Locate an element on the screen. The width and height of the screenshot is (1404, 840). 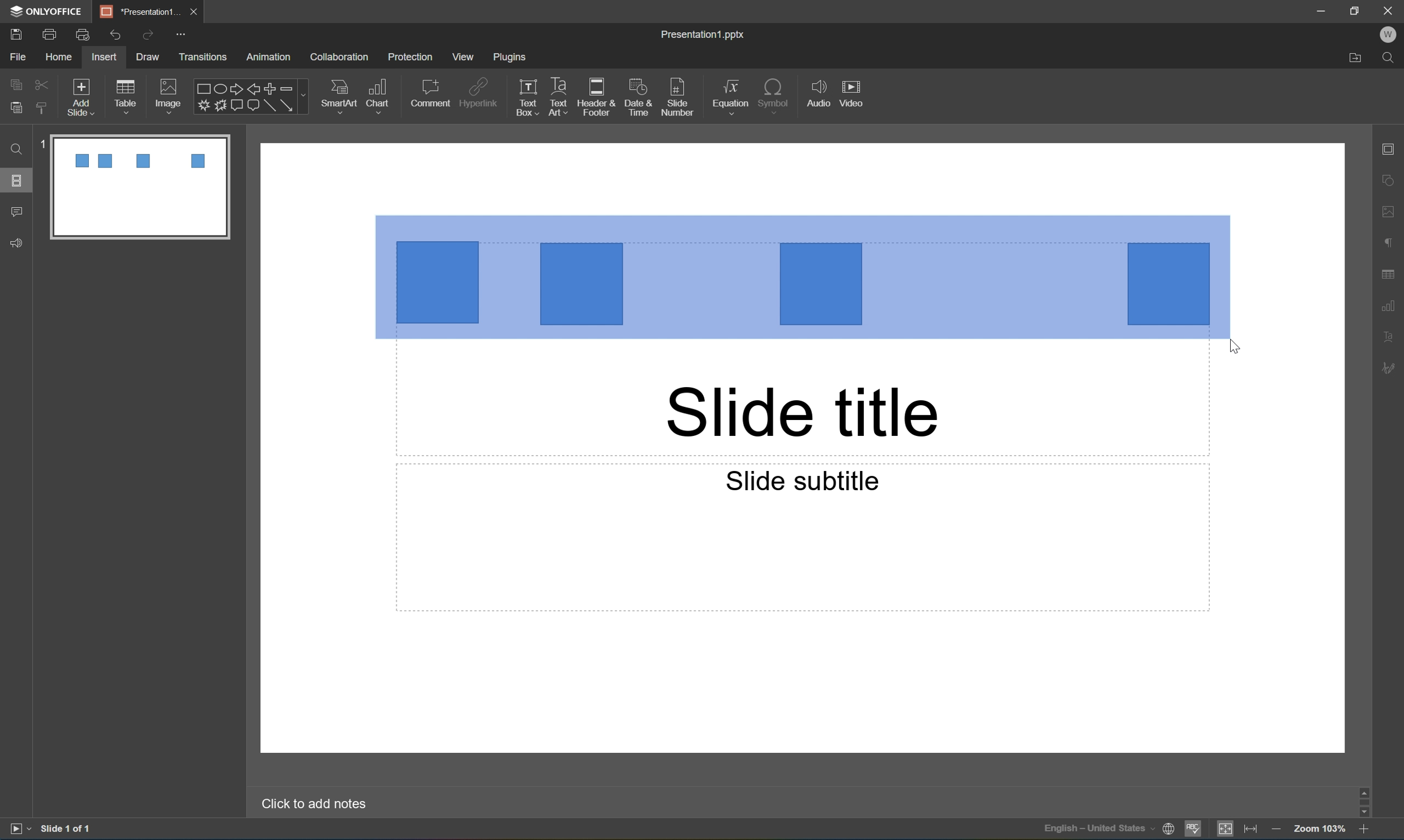
audio is located at coordinates (816, 96).